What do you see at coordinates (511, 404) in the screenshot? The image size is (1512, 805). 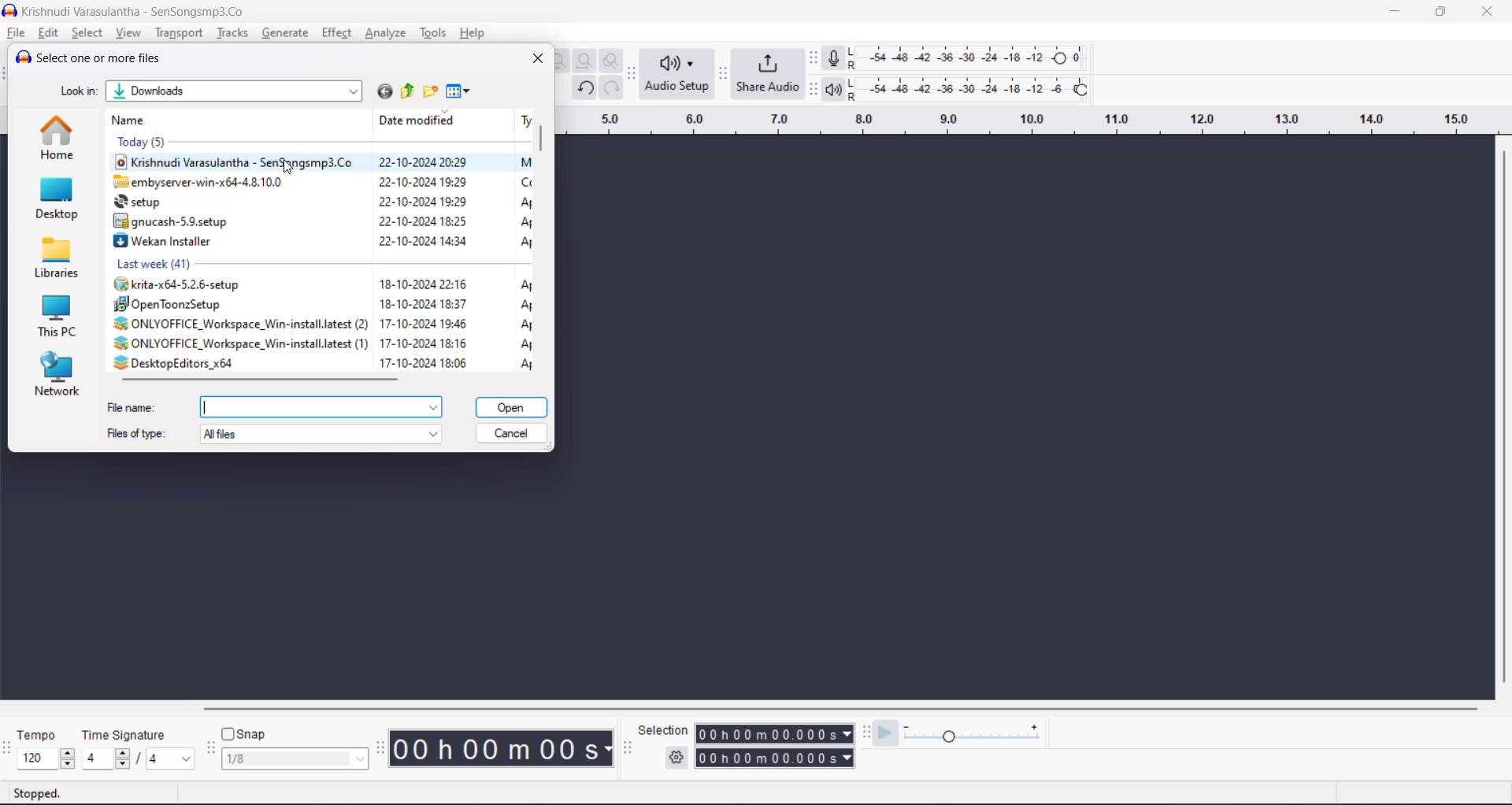 I see `open` at bounding box center [511, 404].